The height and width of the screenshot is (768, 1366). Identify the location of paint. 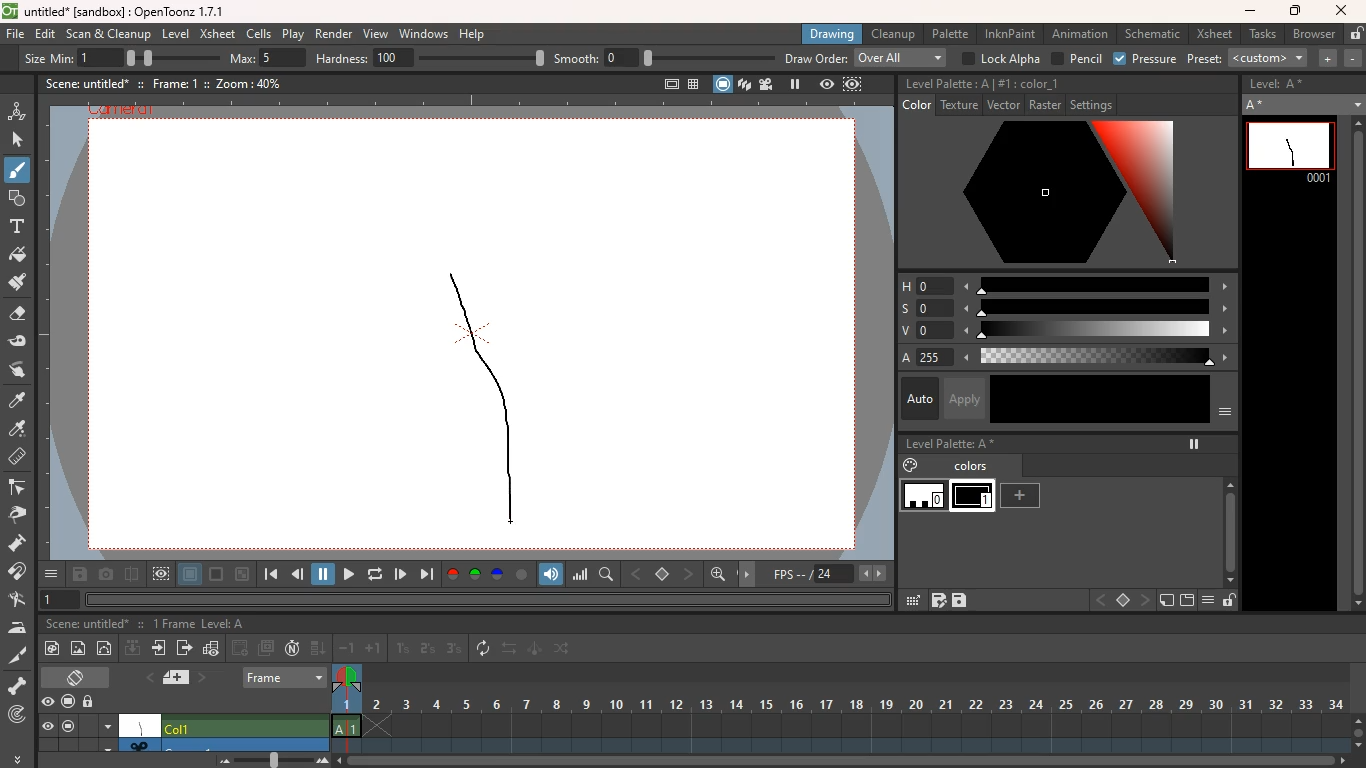
(19, 286).